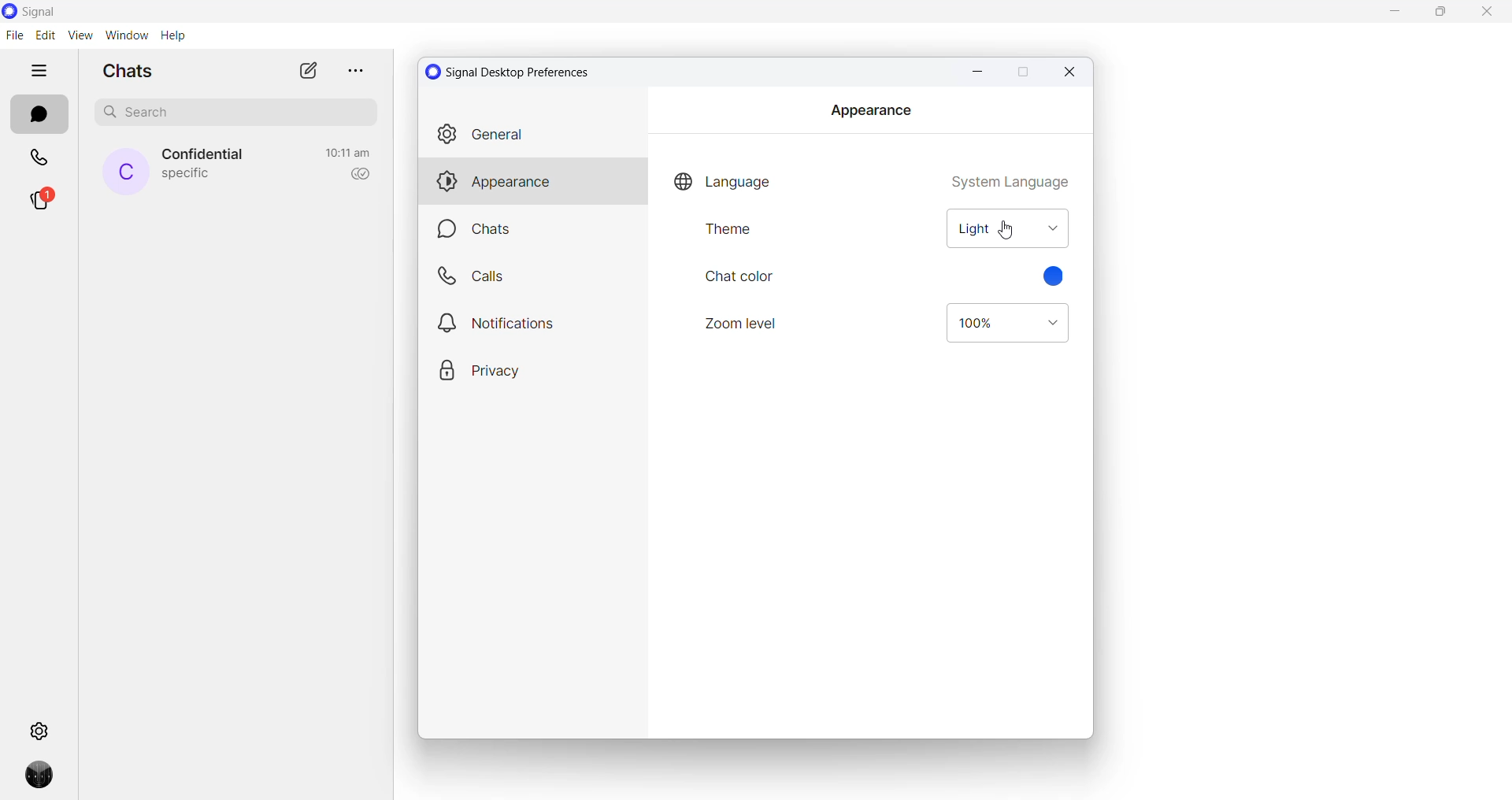 This screenshot has width=1512, height=800. I want to click on contact name, so click(206, 155).